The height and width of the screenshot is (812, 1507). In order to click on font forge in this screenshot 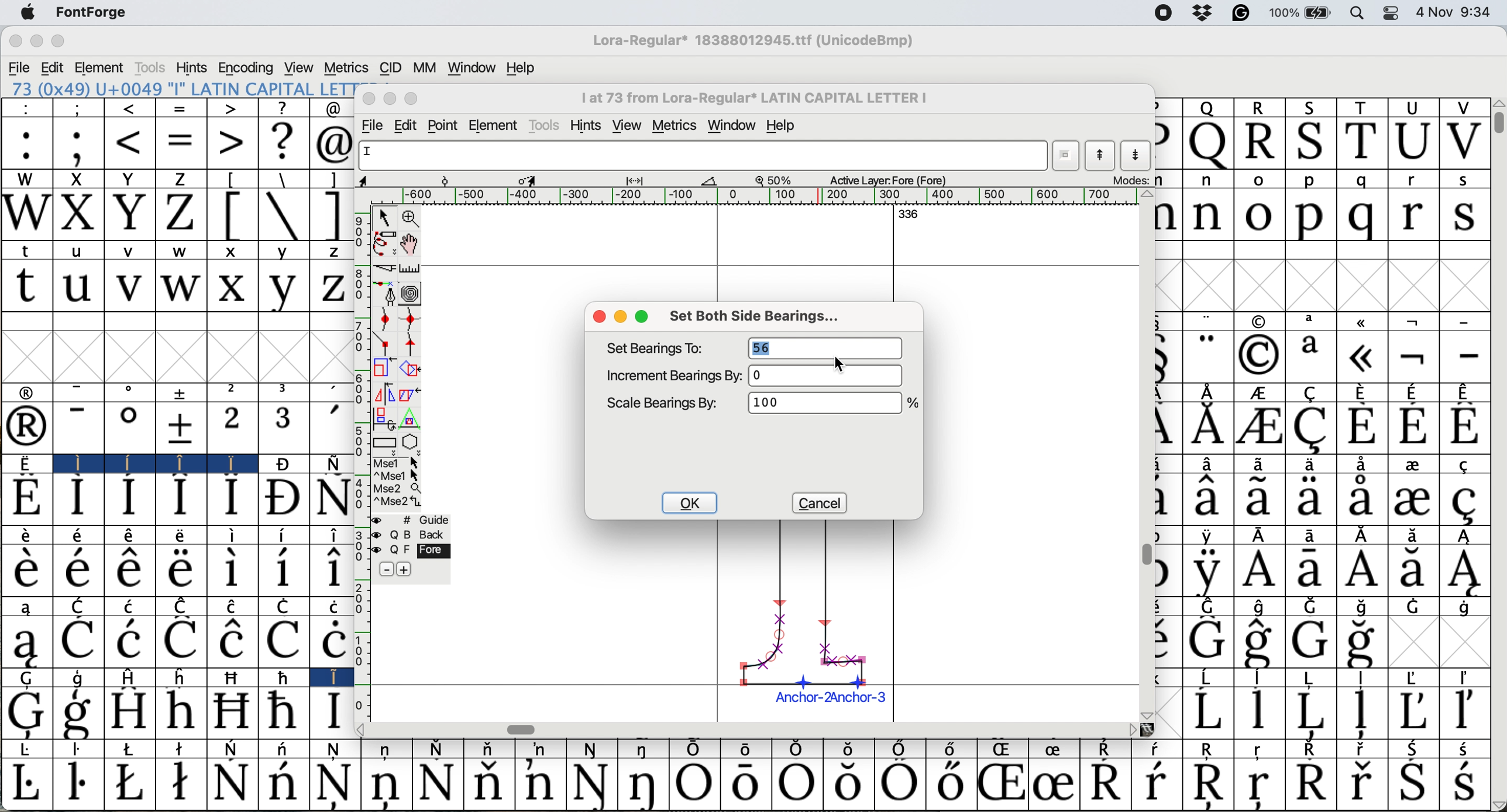, I will do `click(98, 12)`.